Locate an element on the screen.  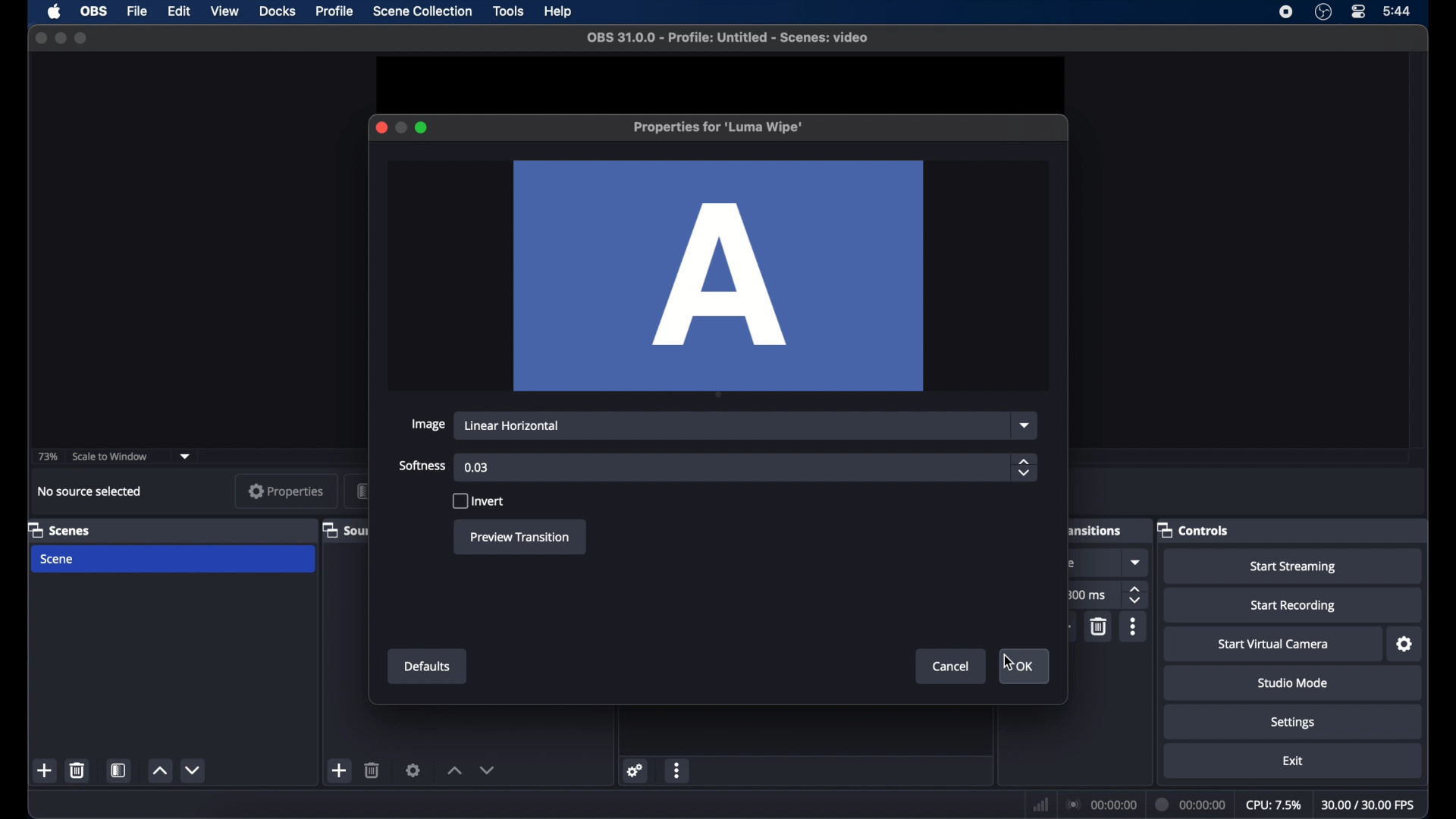
defaults is located at coordinates (428, 667).